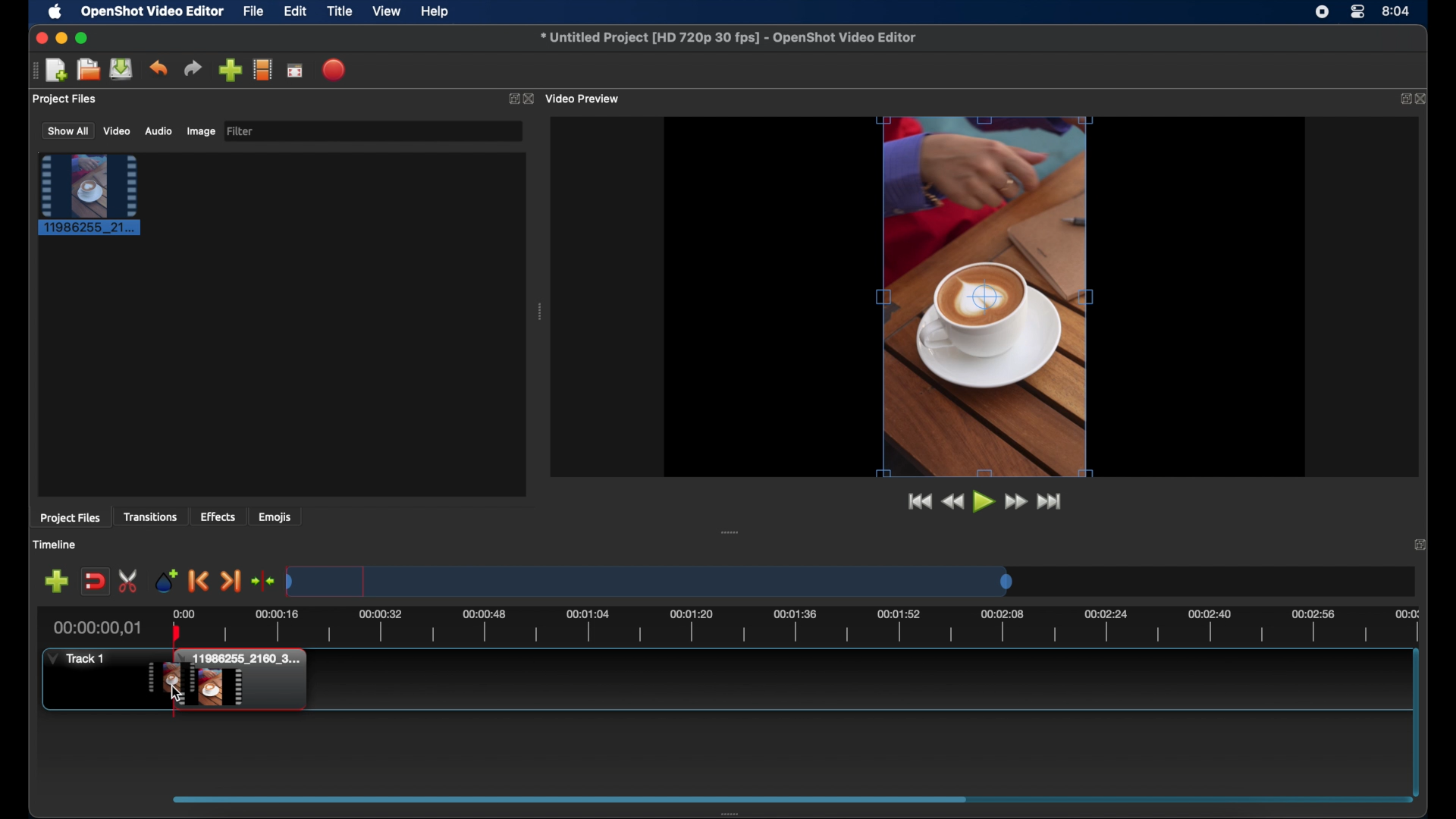 The height and width of the screenshot is (819, 1456). Describe the element at coordinates (218, 516) in the screenshot. I see `effects` at that location.